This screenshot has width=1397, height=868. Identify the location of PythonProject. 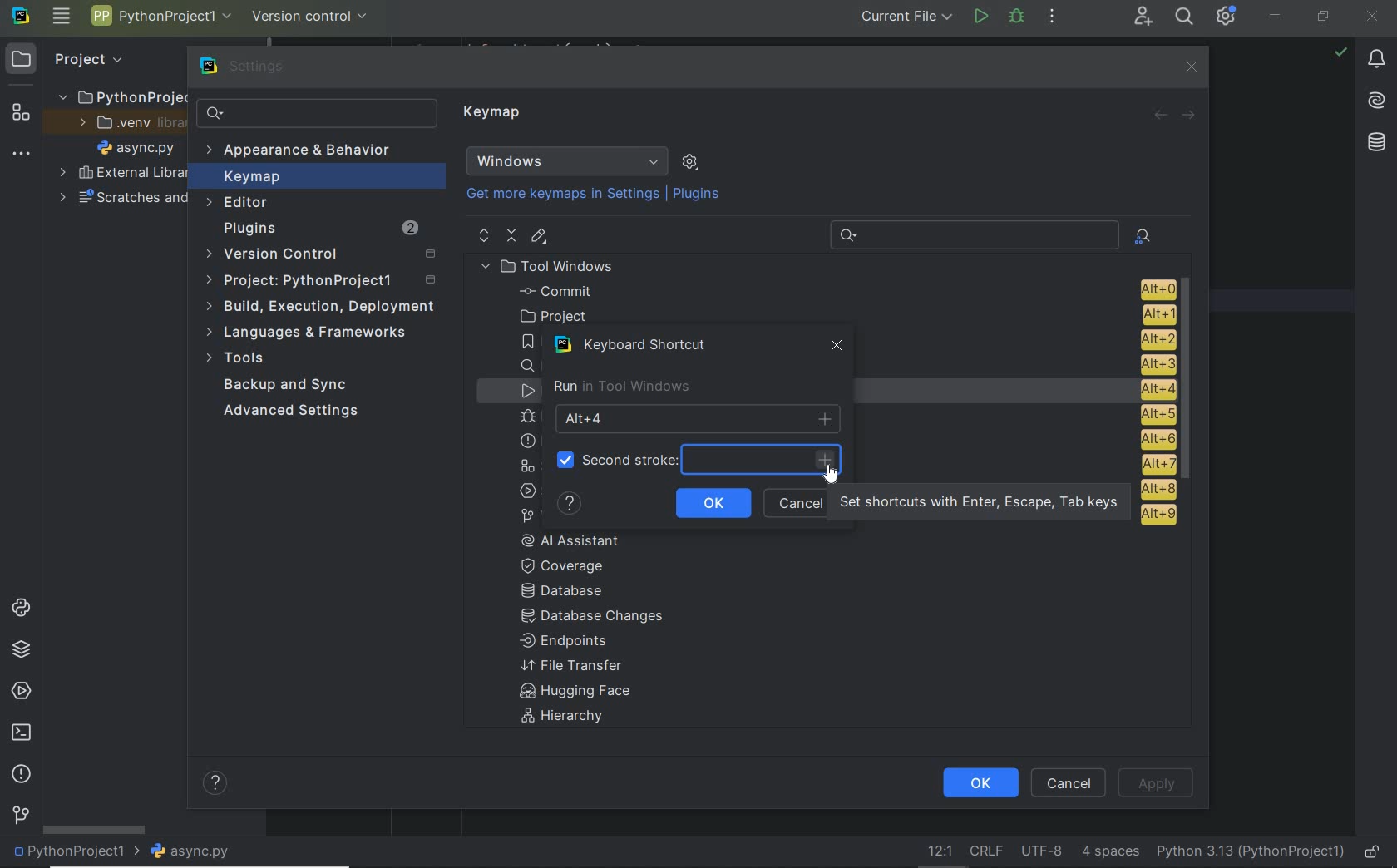
(122, 96).